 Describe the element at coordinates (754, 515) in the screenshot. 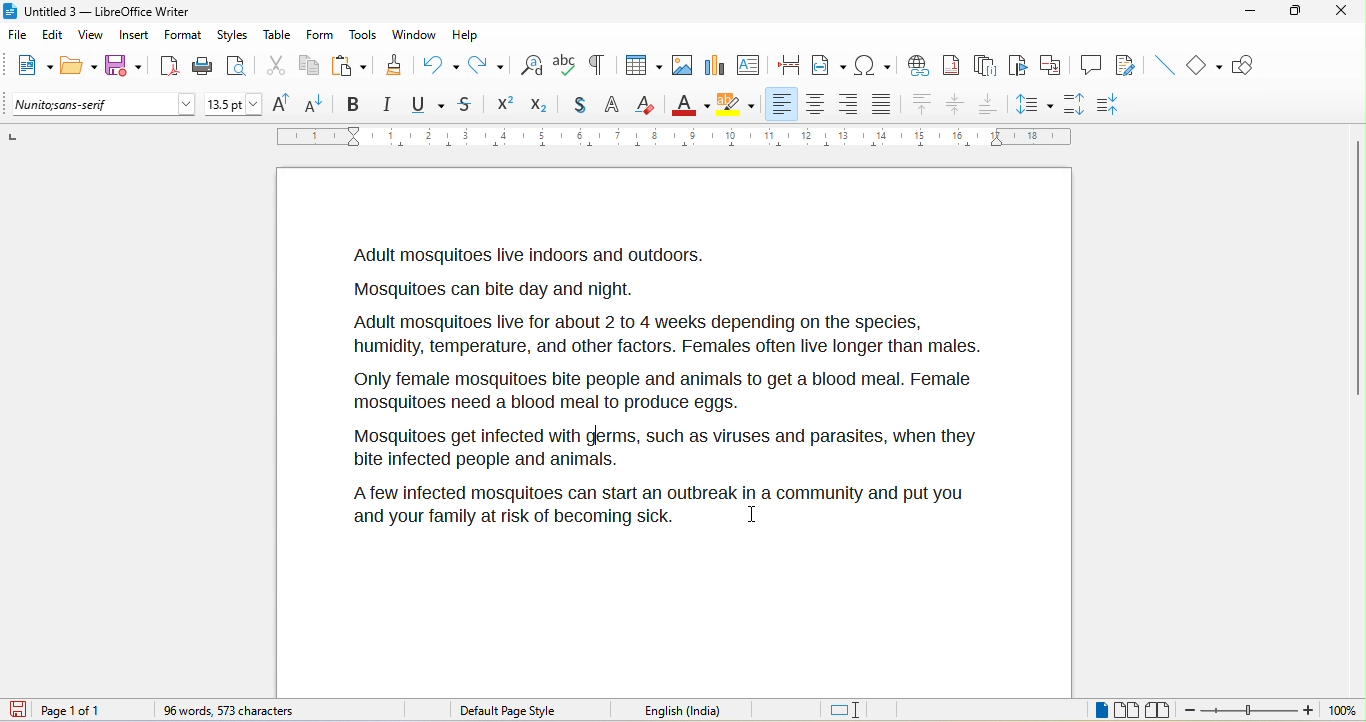

I see `cursor` at that location.